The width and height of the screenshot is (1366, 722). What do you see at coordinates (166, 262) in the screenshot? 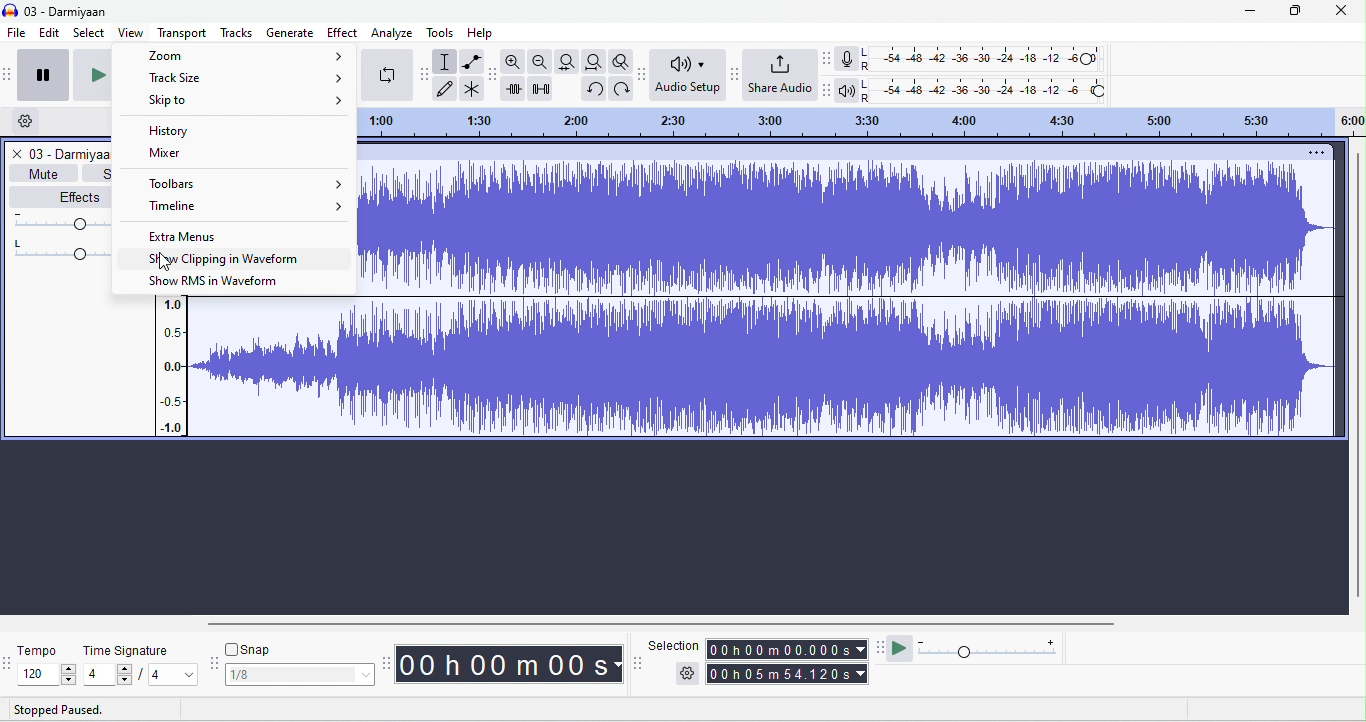
I see `cursor` at bounding box center [166, 262].